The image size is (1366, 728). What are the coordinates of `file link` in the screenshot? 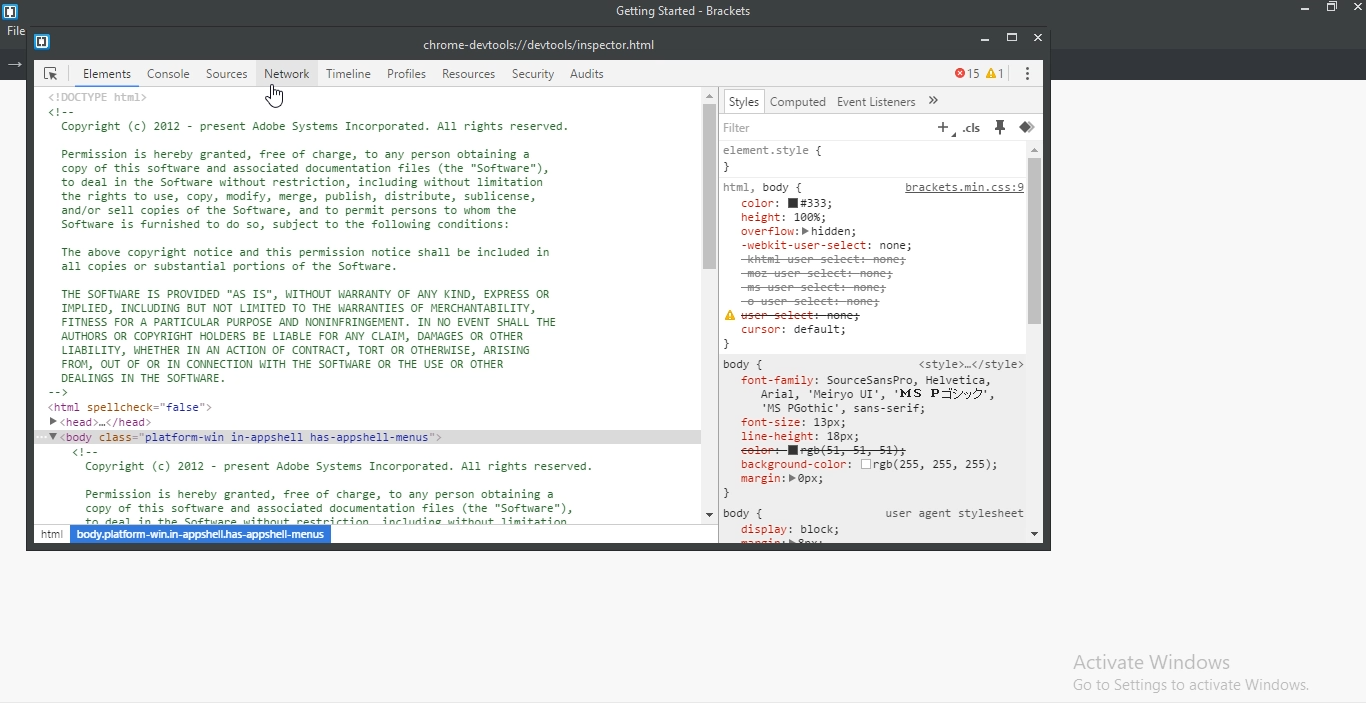 It's located at (538, 44).